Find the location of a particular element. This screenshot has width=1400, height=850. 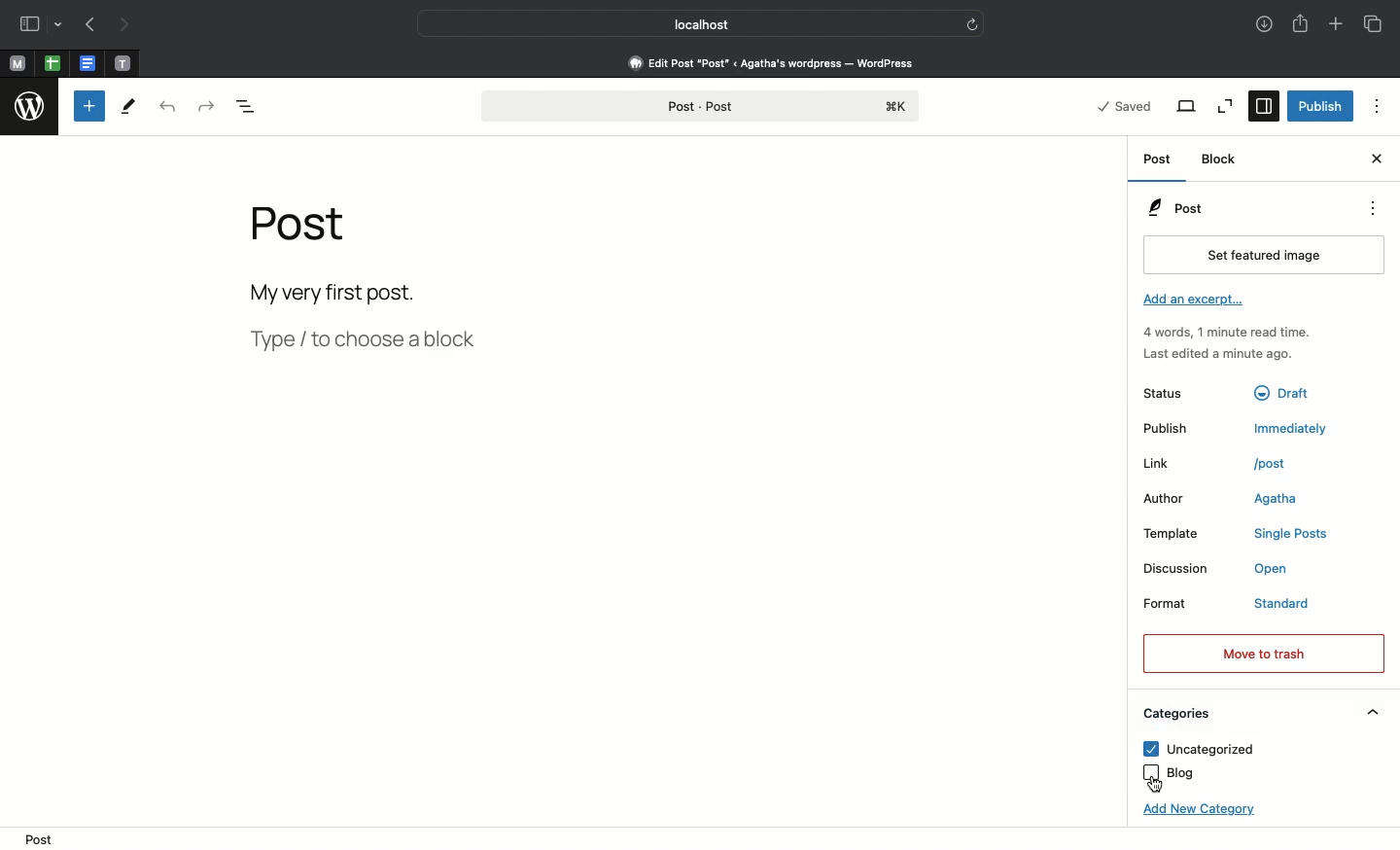

Status is located at coordinates (1179, 392).